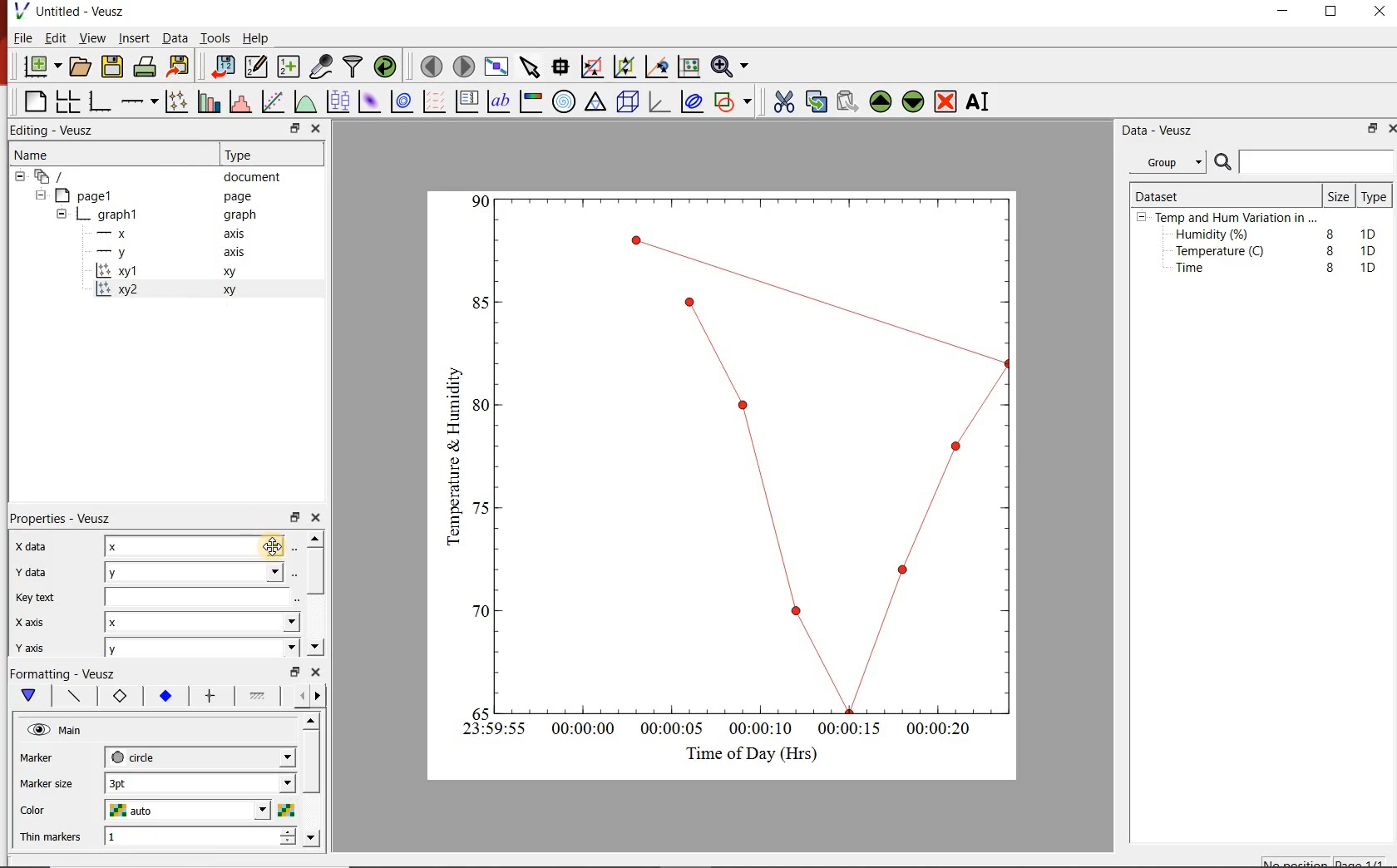 The image size is (1397, 868). What do you see at coordinates (1161, 131) in the screenshot?
I see `Data - Veusz` at bounding box center [1161, 131].